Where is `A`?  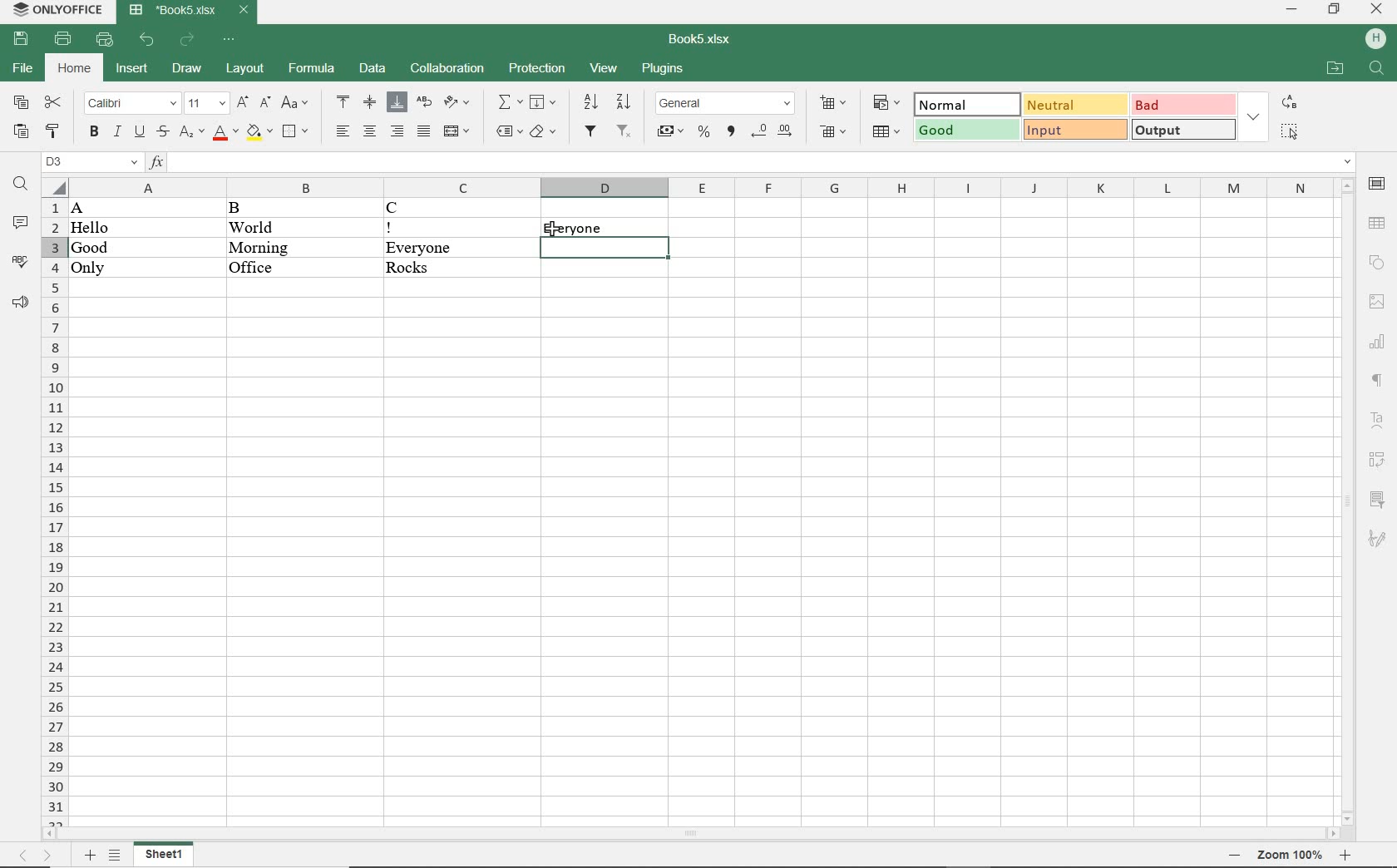 A is located at coordinates (93, 209).